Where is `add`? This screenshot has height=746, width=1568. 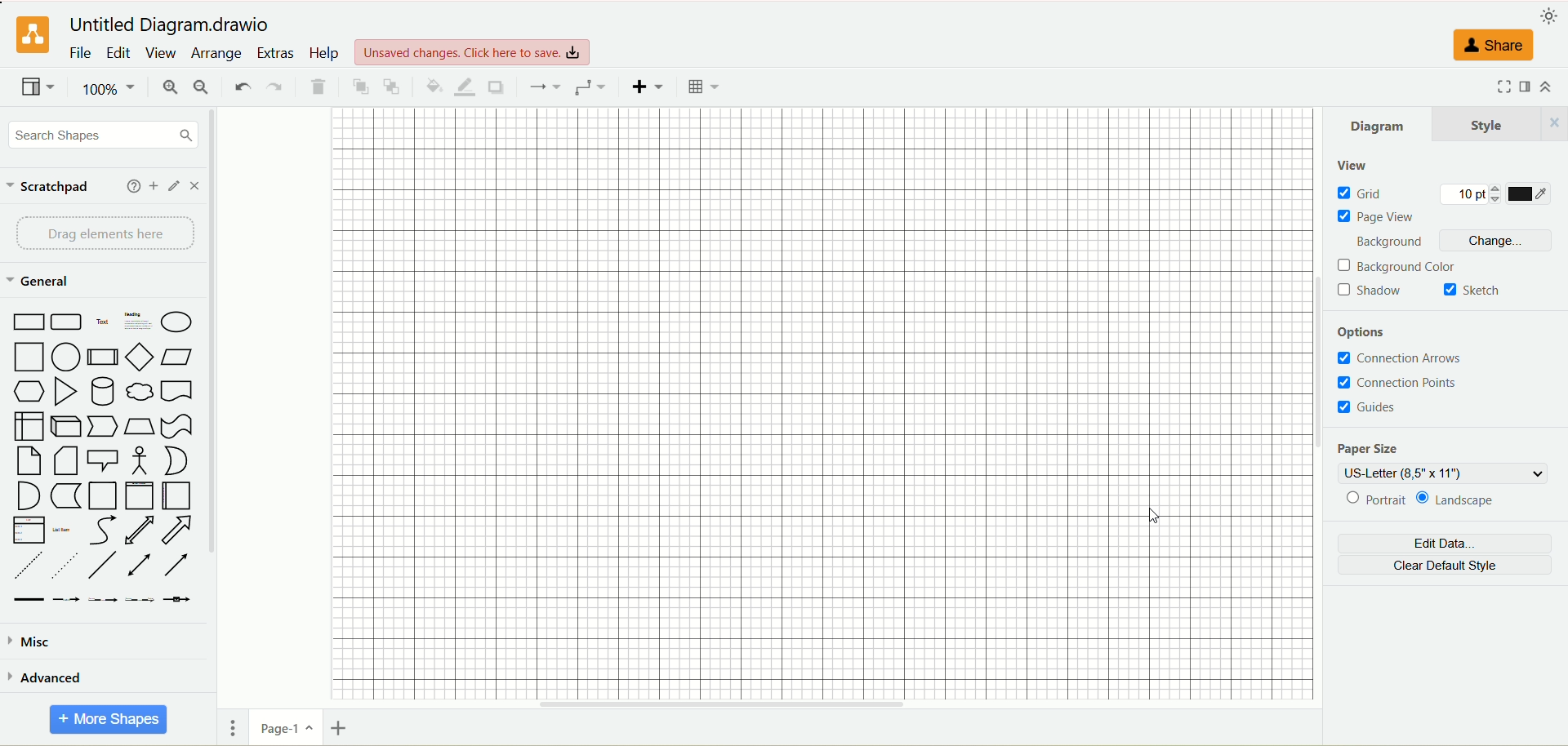 add is located at coordinates (154, 186).